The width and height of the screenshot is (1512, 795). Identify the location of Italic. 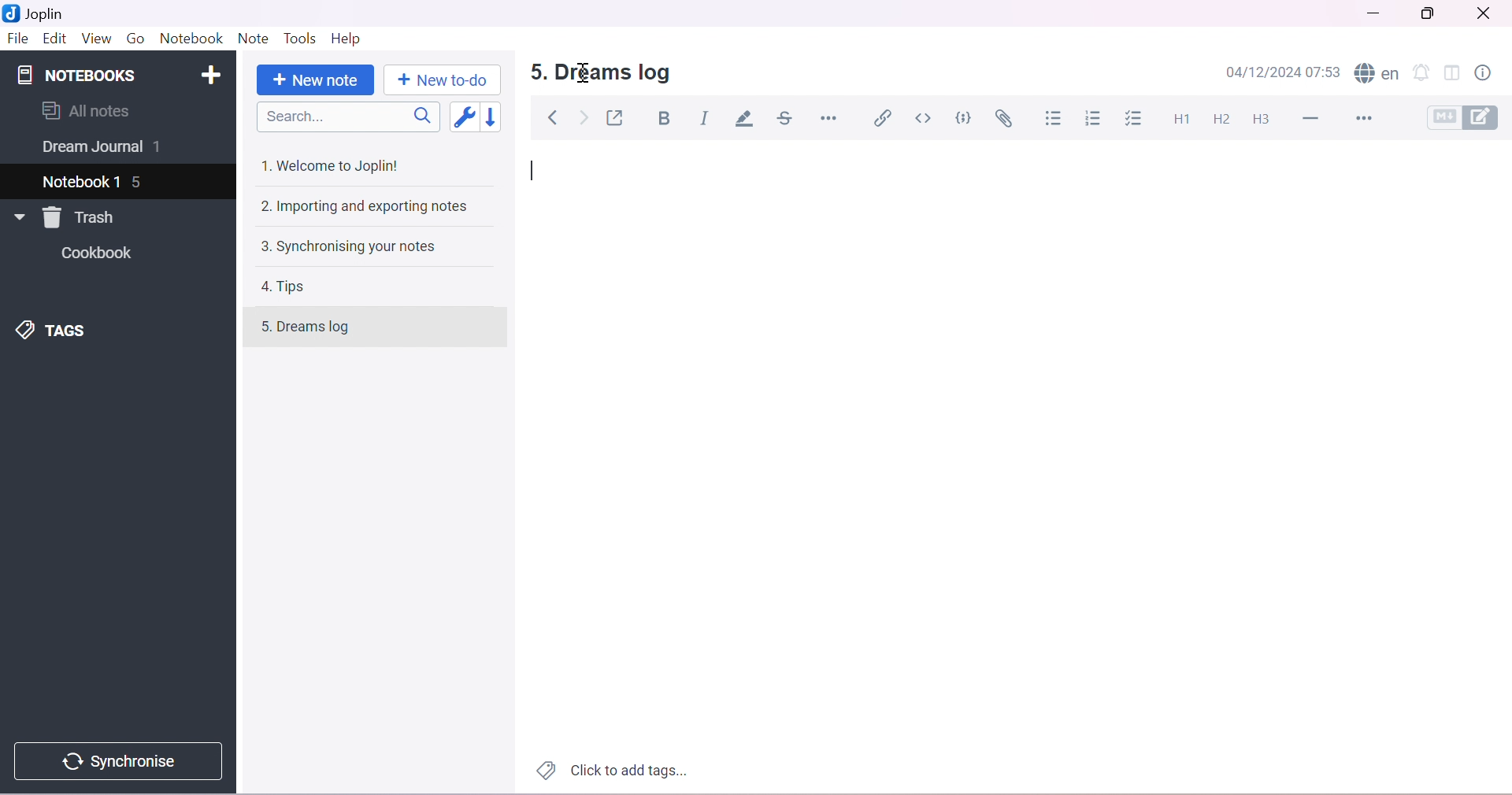
(706, 116).